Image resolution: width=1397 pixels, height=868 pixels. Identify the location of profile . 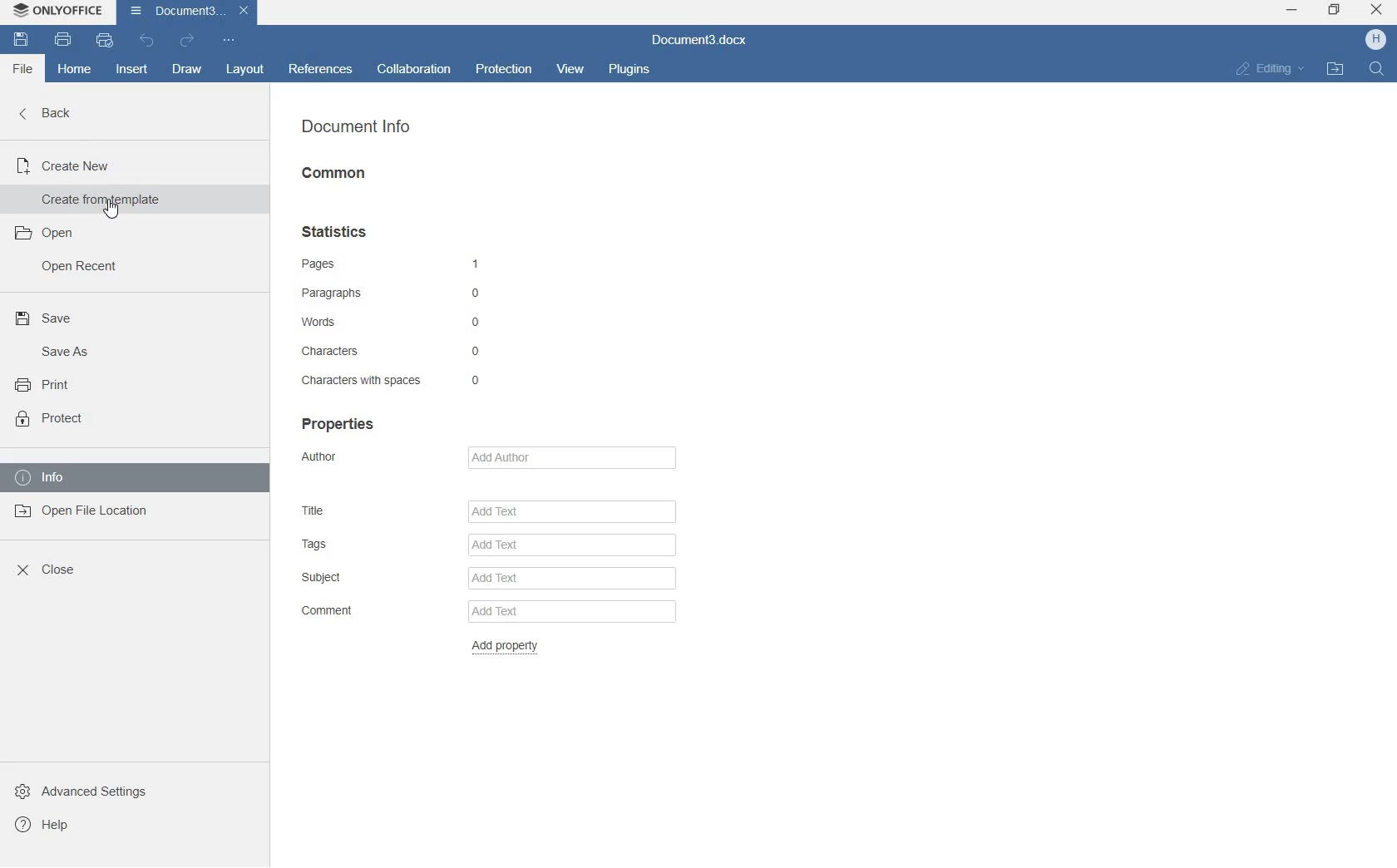
(1377, 42).